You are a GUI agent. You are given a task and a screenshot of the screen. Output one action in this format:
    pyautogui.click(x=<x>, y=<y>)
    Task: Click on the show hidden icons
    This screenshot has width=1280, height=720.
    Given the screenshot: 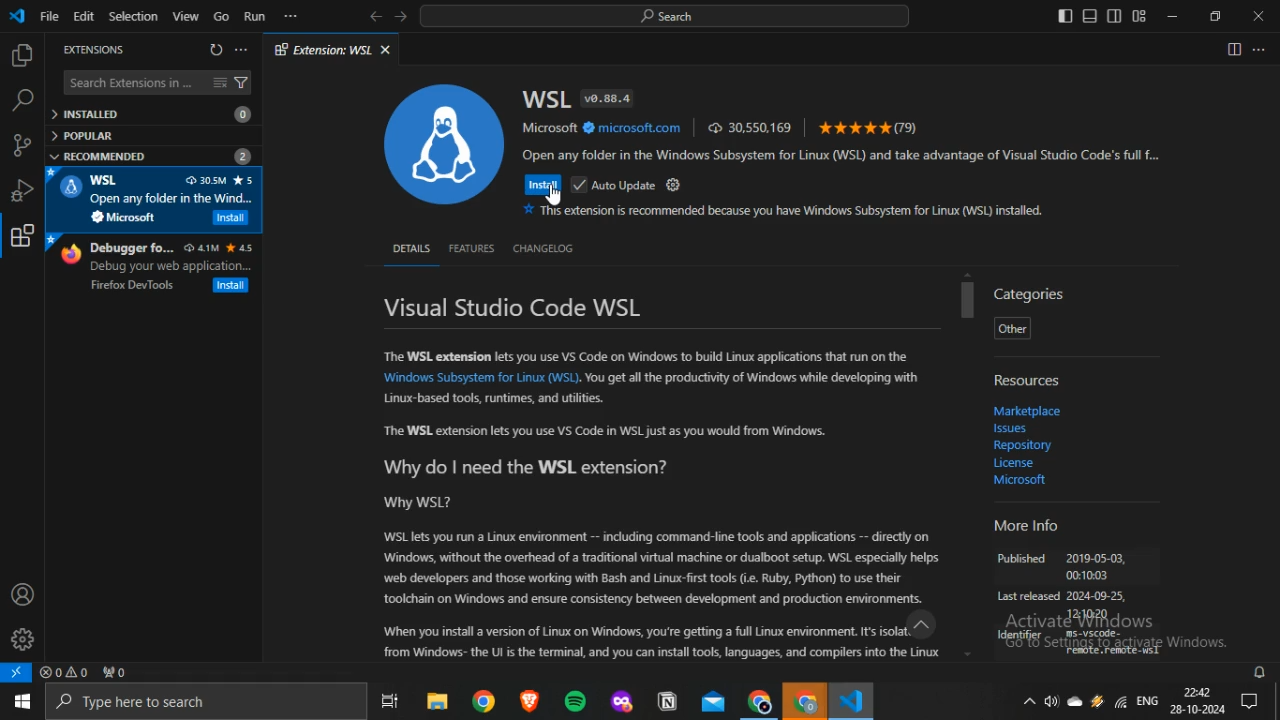 What is the action you would take?
    pyautogui.click(x=1028, y=700)
    